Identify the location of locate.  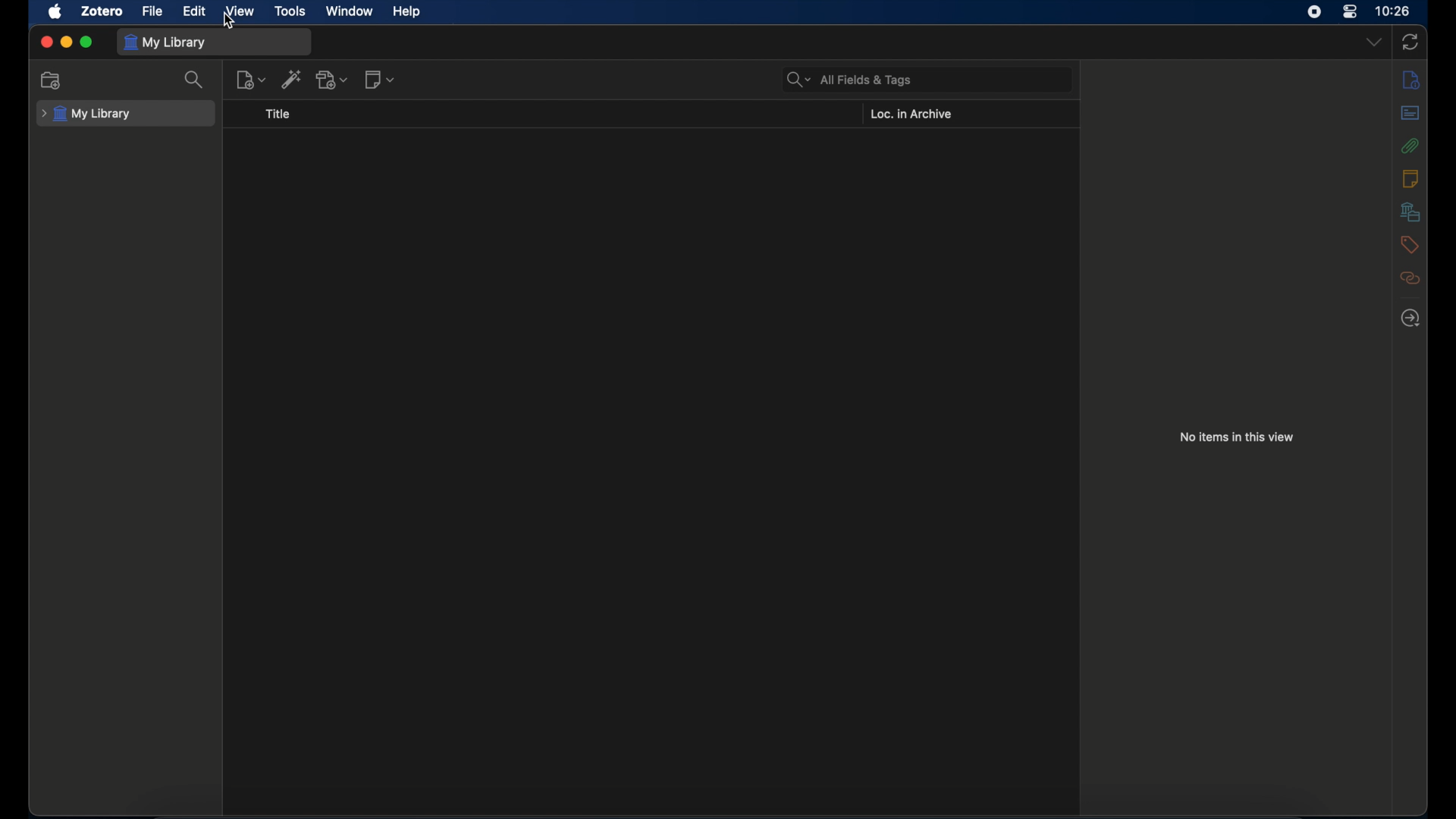
(1410, 319).